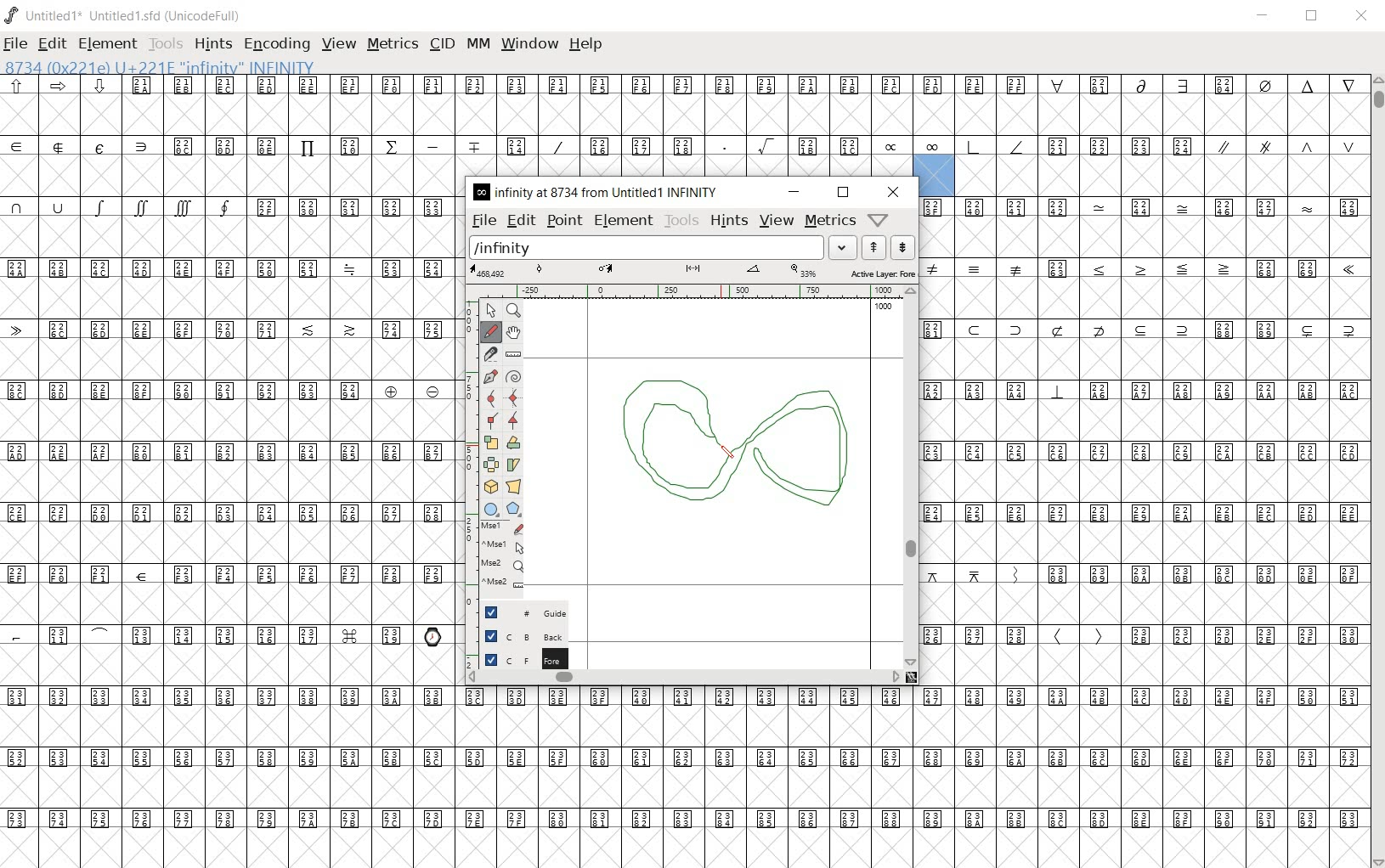 The width and height of the screenshot is (1385, 868). What do you see at coordinates (516, 145) in the screenshot?
I see `Unicode code points` at bounding box center [516, 145].